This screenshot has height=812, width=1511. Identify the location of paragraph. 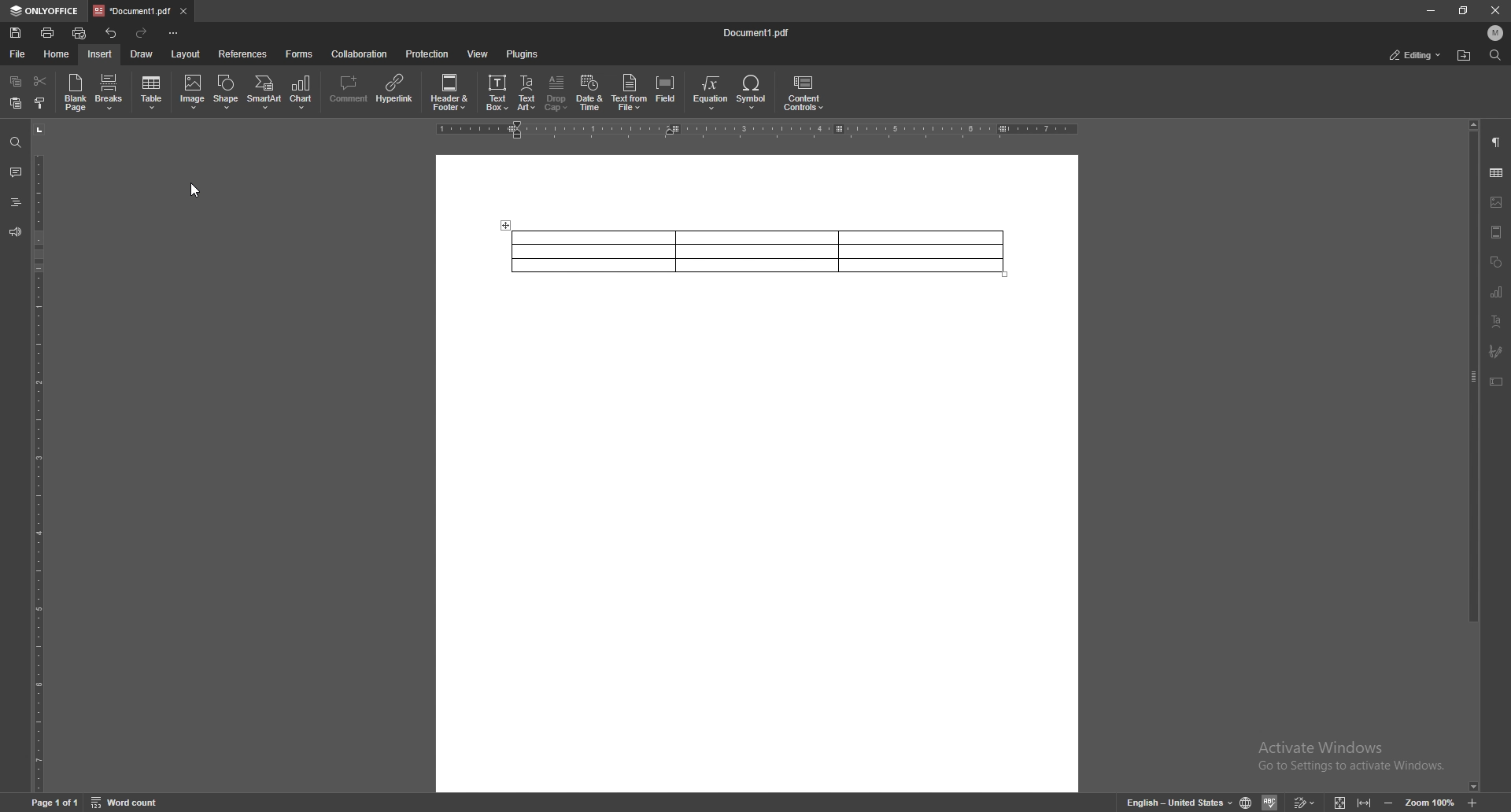
(1498, 141).